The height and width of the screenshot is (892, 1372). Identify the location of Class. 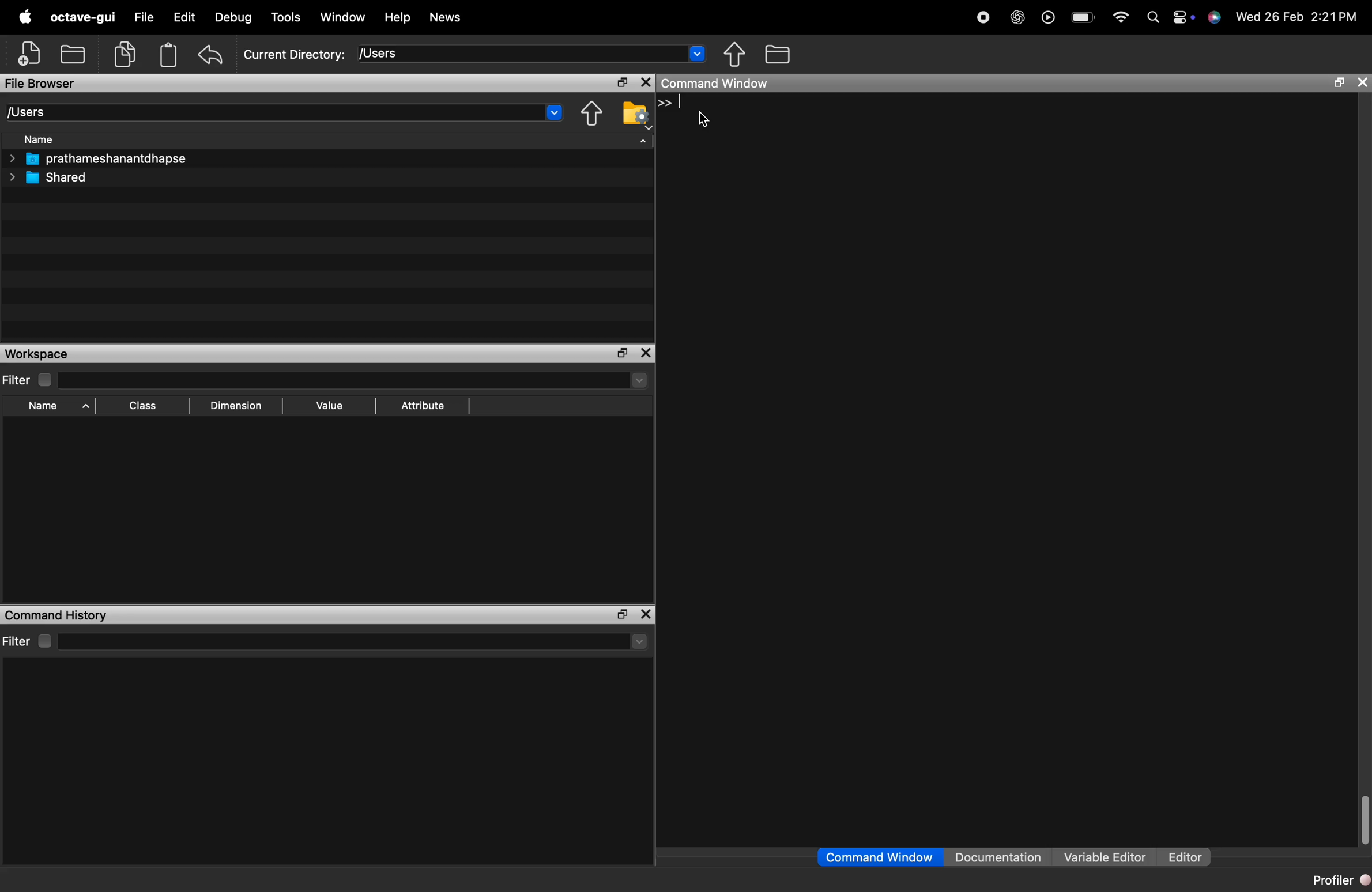
(144, 405).